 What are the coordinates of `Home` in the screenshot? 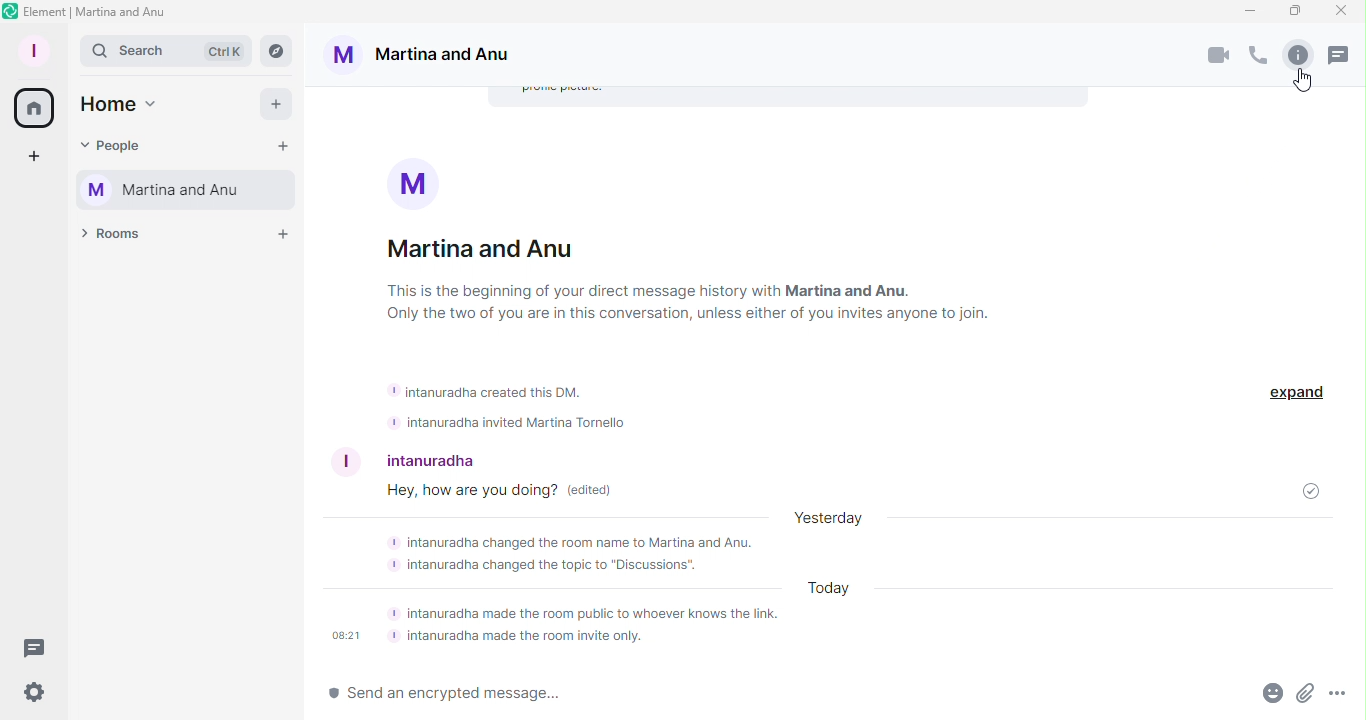 It's located at (120, 108).